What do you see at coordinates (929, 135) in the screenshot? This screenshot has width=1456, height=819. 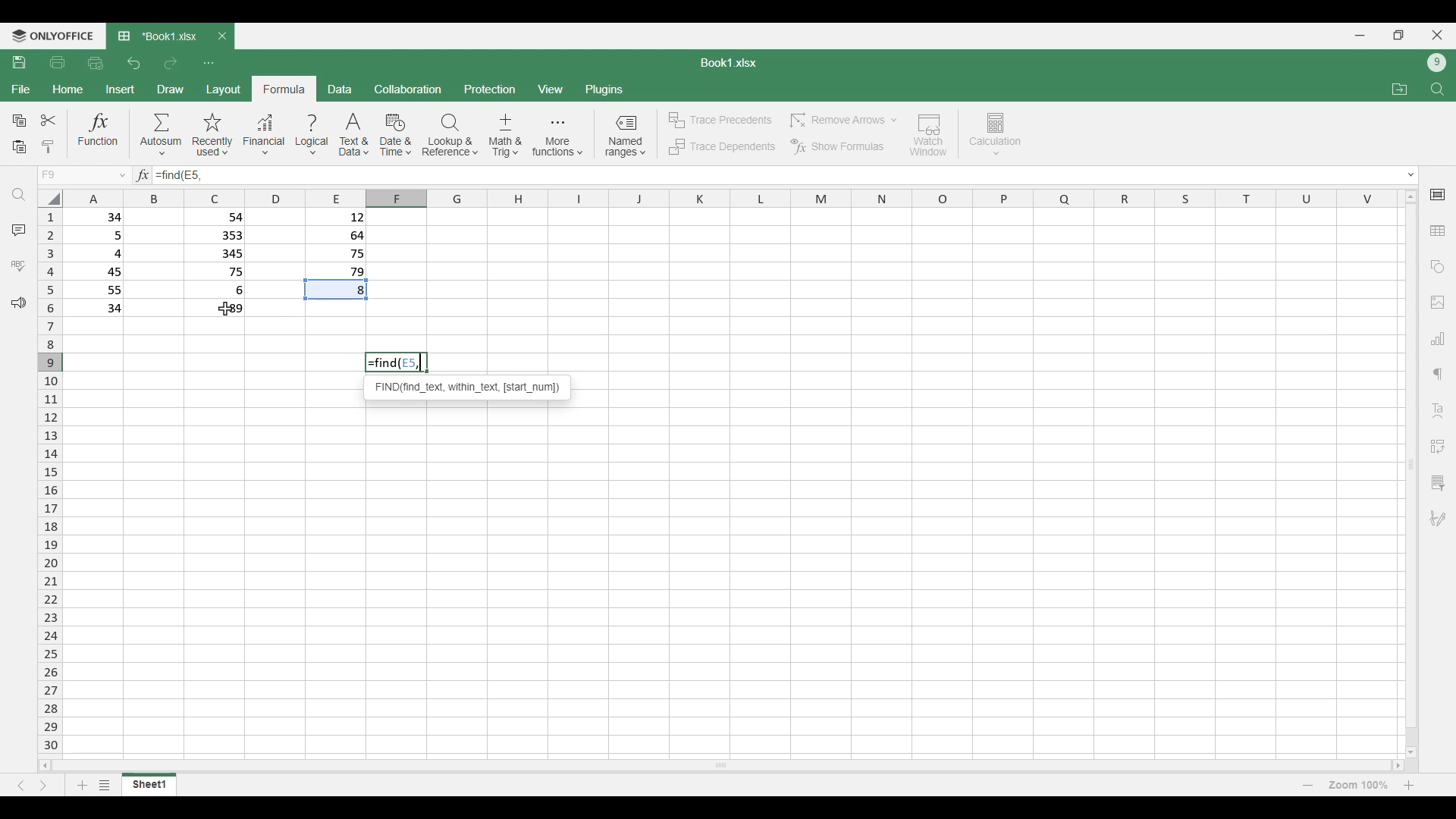 I see `Watch window` at bounding box center [929, 135].